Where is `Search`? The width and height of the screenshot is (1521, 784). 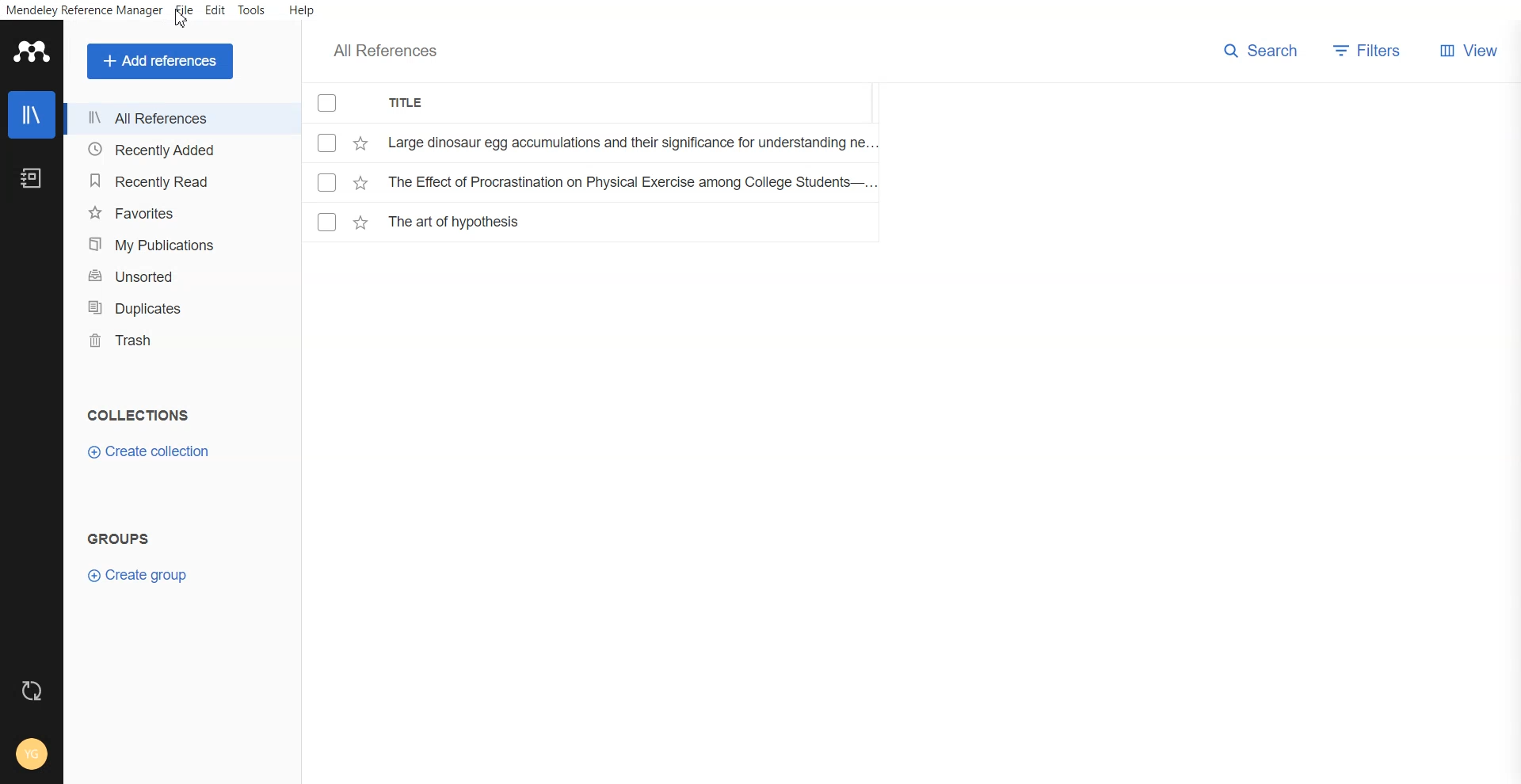
Search is located at coordinates (1260, 51).